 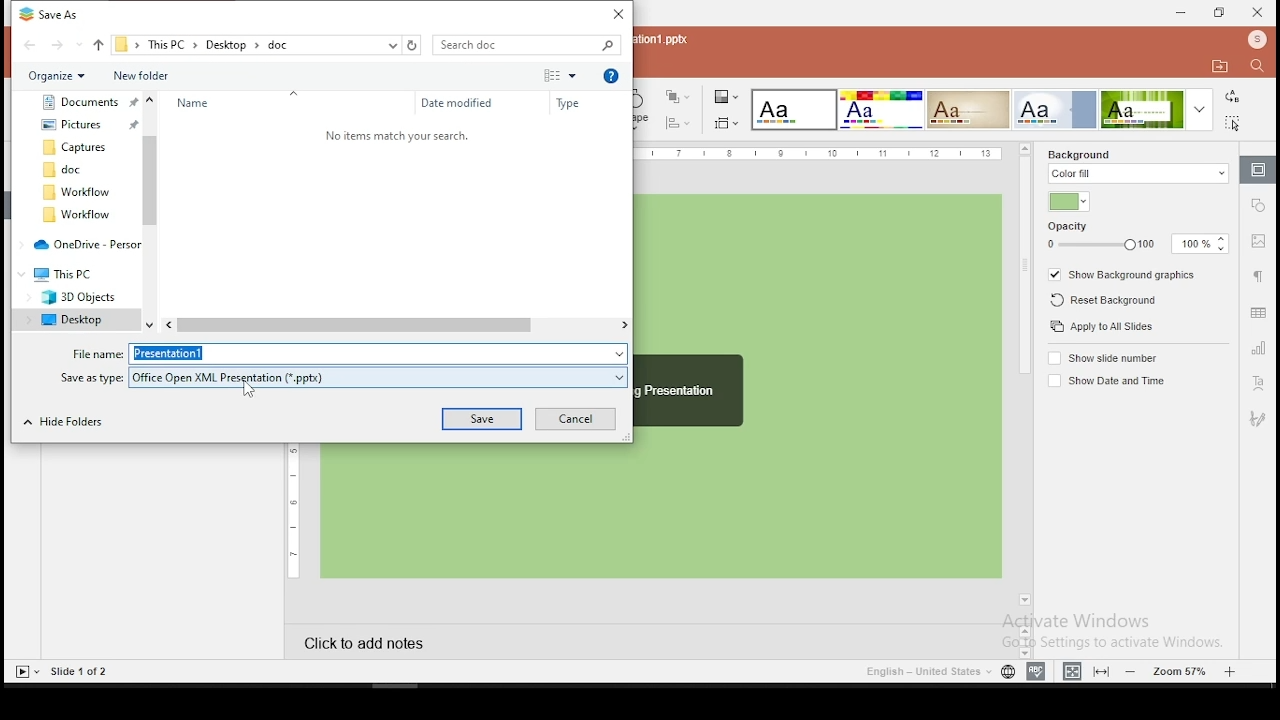 I want to click on This PC, so click(x=69, y=275).